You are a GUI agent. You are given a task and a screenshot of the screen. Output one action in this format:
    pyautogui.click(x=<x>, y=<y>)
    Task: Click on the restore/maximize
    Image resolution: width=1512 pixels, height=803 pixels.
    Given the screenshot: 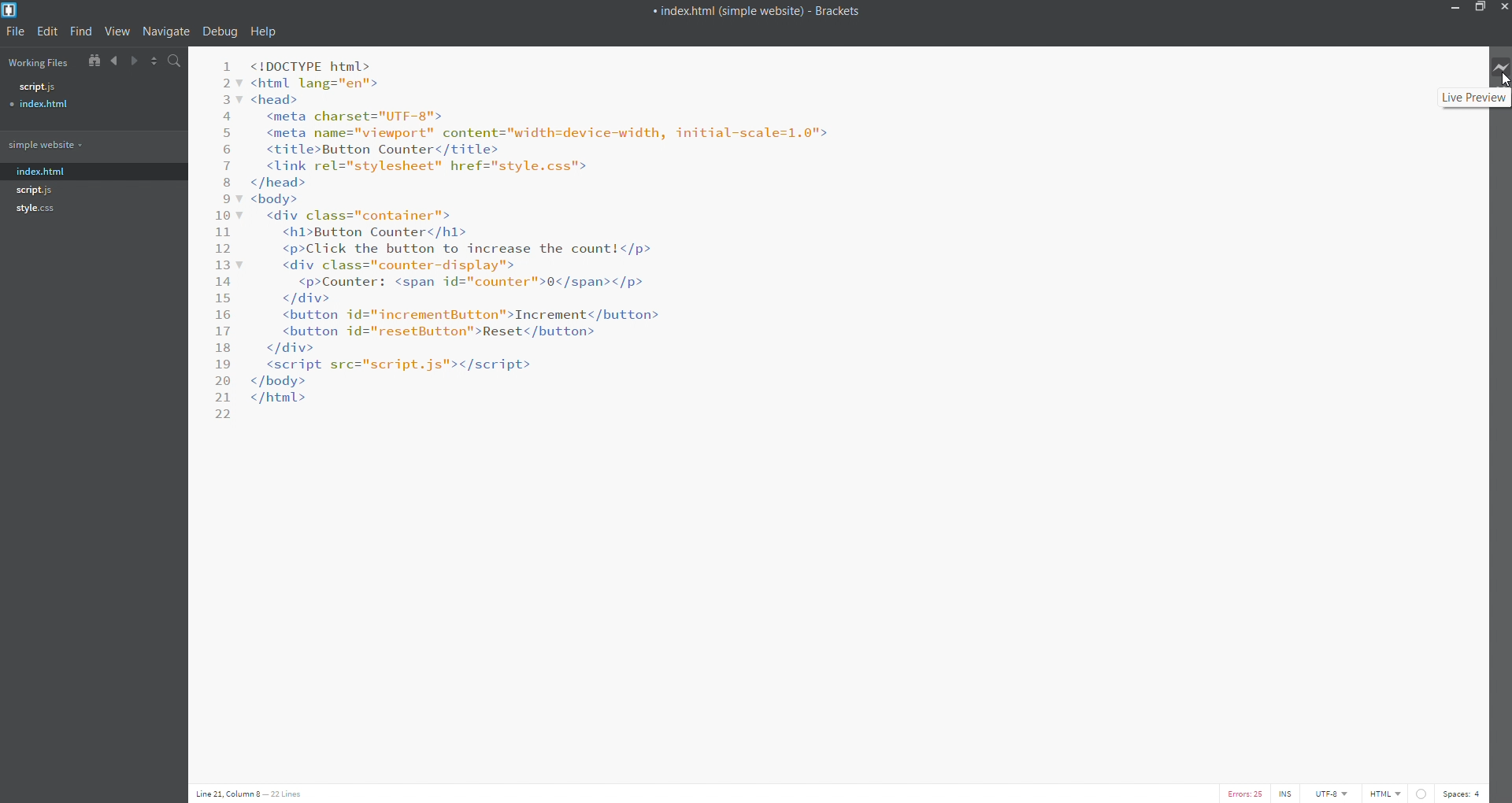 What is the action you would take?
    pyautogui.click(x=1480, y=9)
    